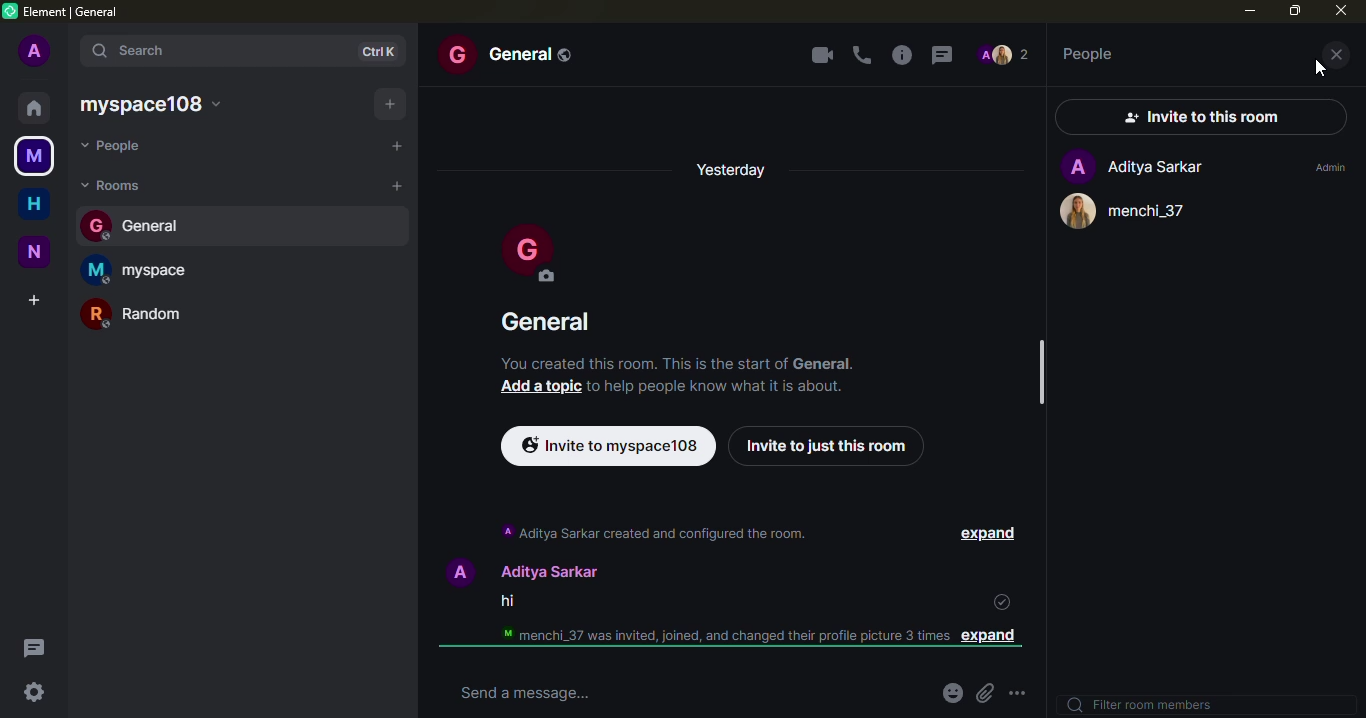  Describe the element at coordinates (1295, 12) in the screenshot. I see `maximize` at that location.